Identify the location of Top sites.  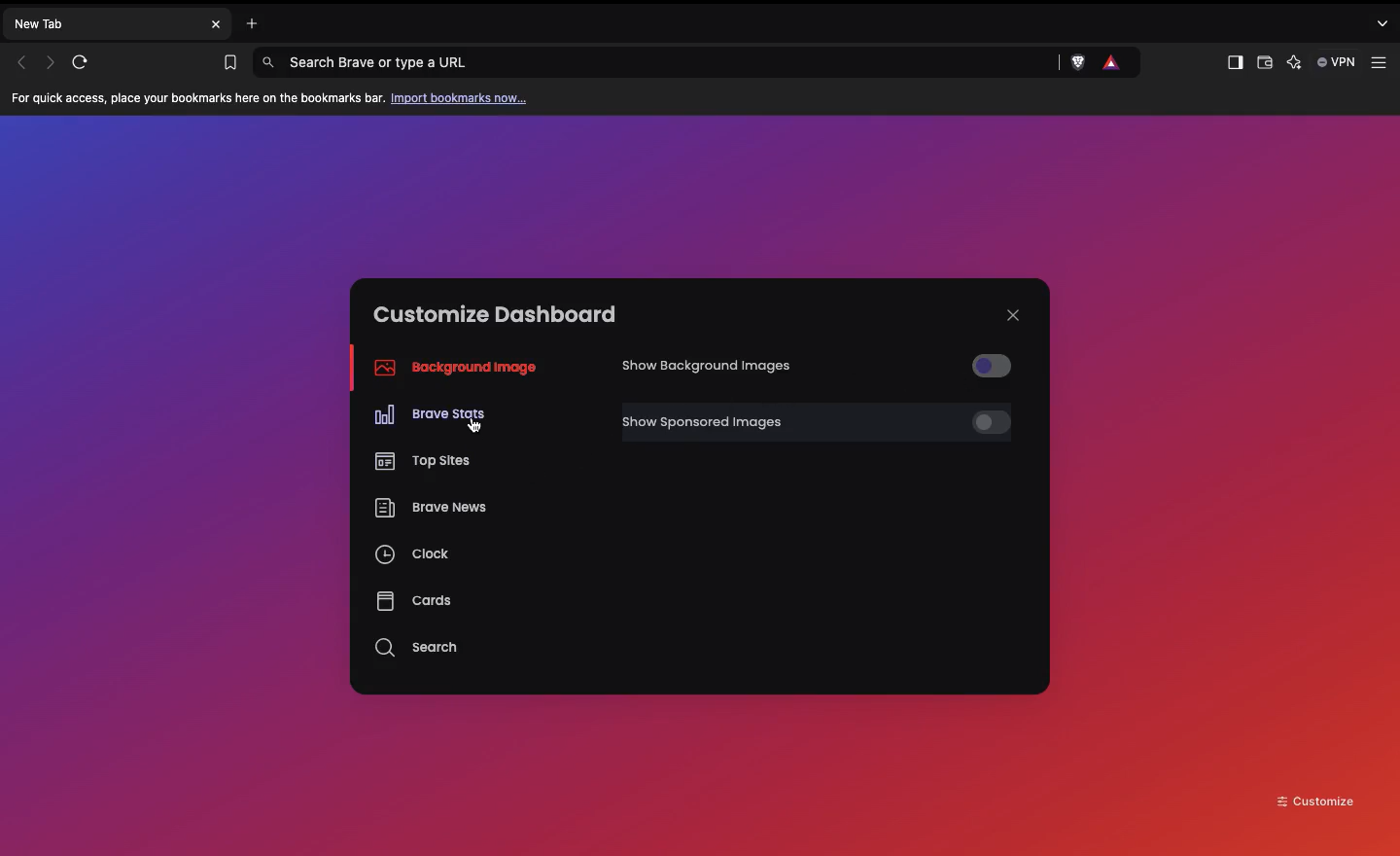
(420, 458).